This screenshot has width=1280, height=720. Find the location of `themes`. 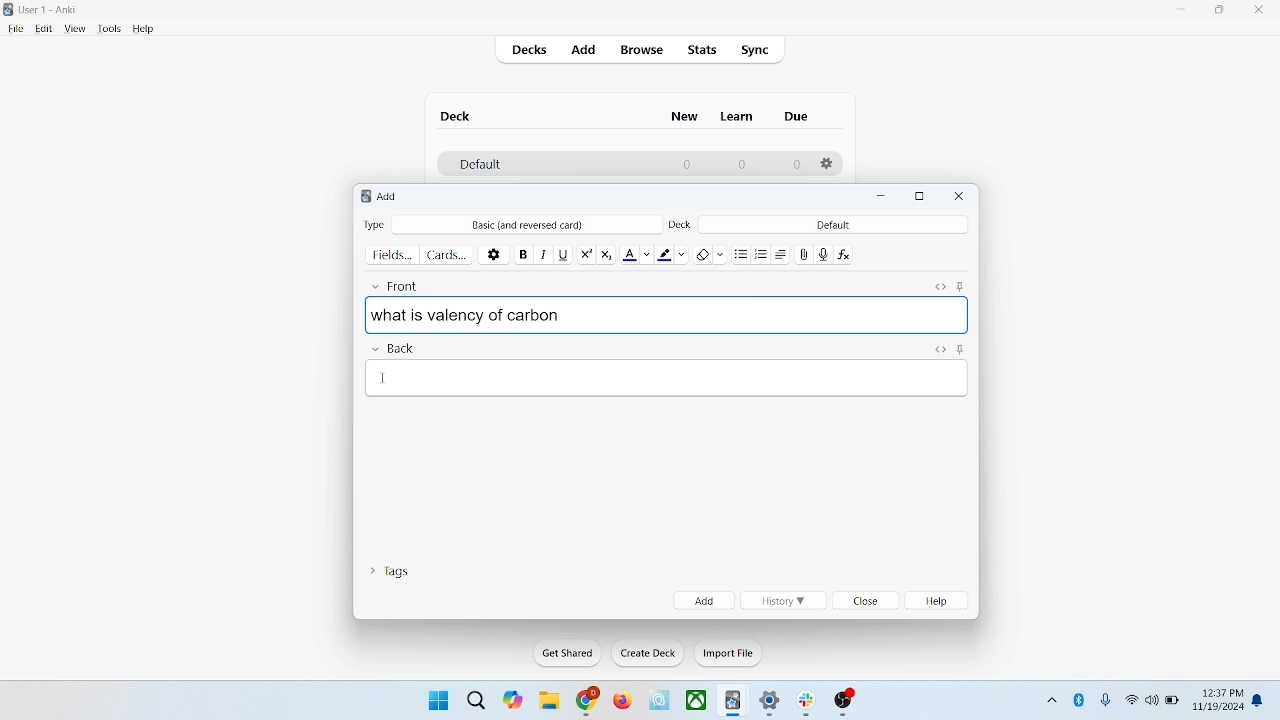

themes is located at coordinates (513, 700).